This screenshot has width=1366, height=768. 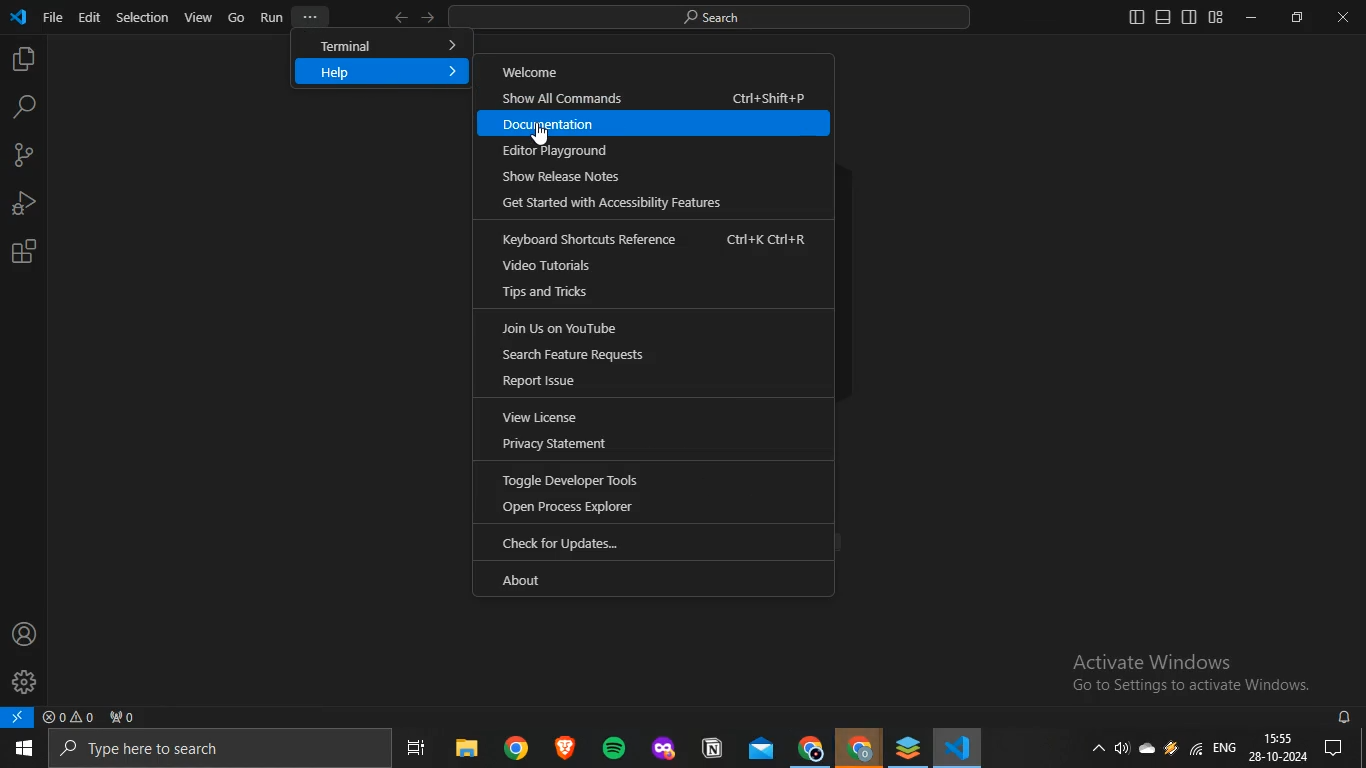 I want to click on edit, so click(x=89, y=17).